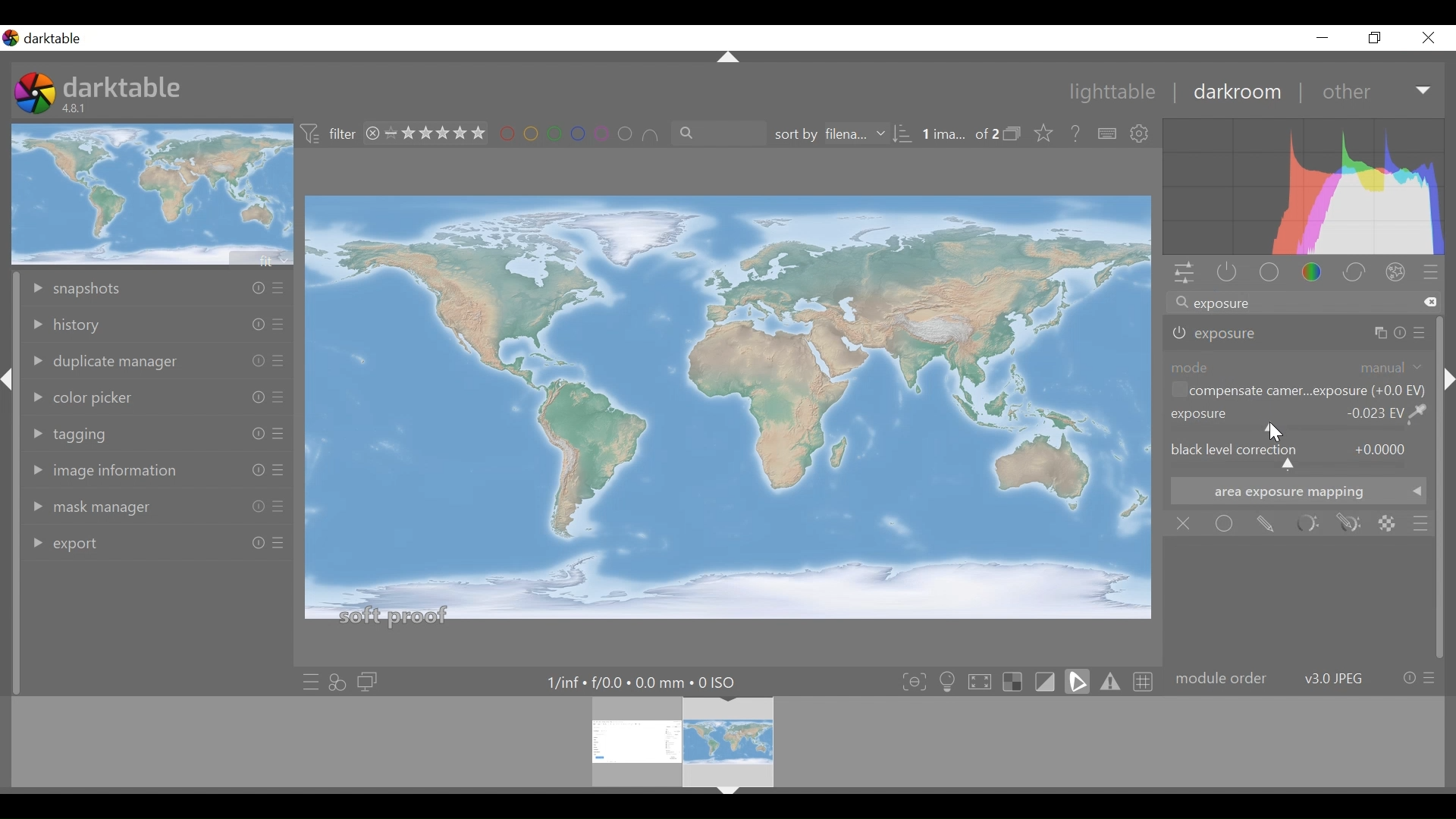 This screenshot has height=819, width=1456. I want to click on area exposure mapping, so click(1298, 491).